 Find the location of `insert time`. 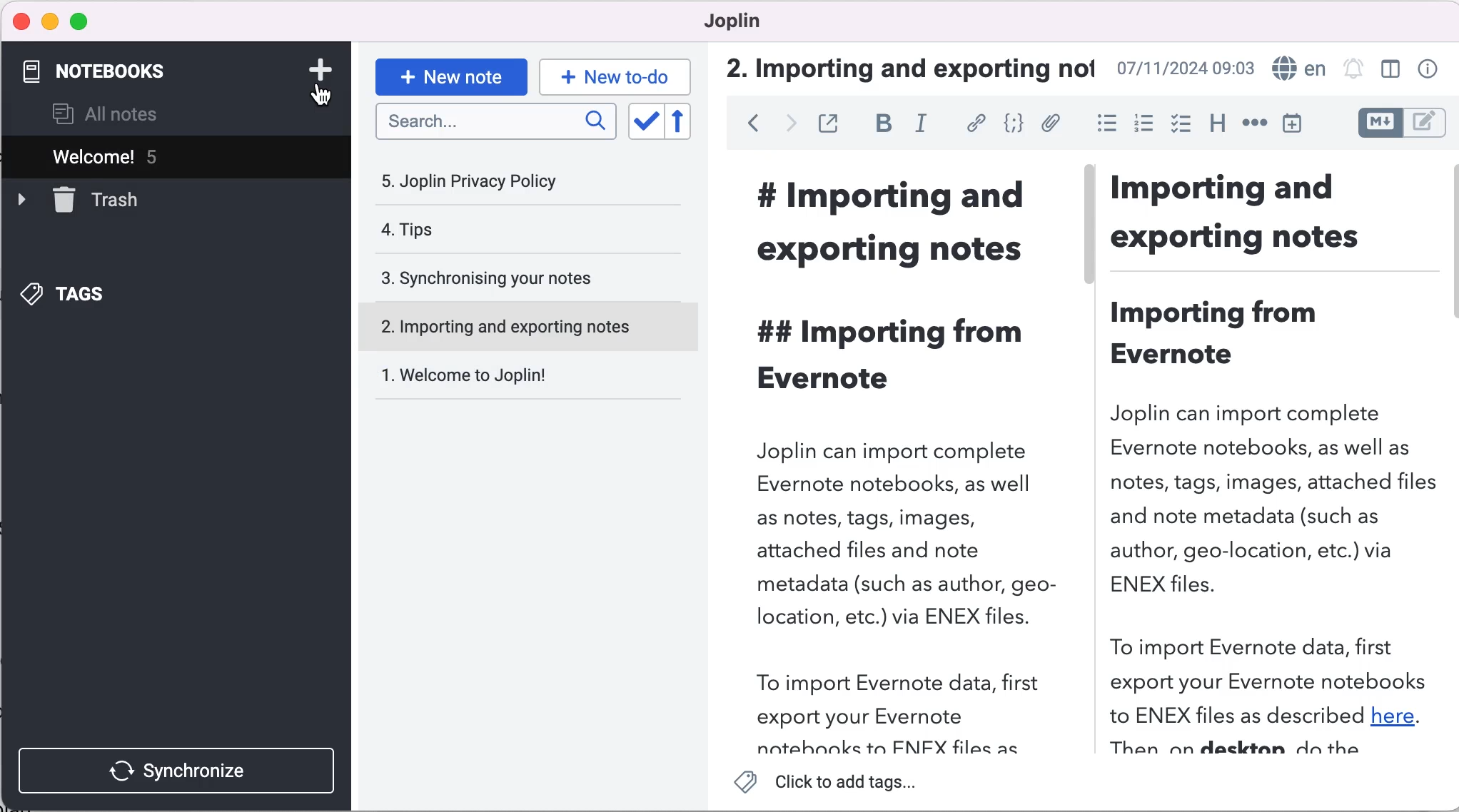

insert time is located at coordinates (1295, 123).